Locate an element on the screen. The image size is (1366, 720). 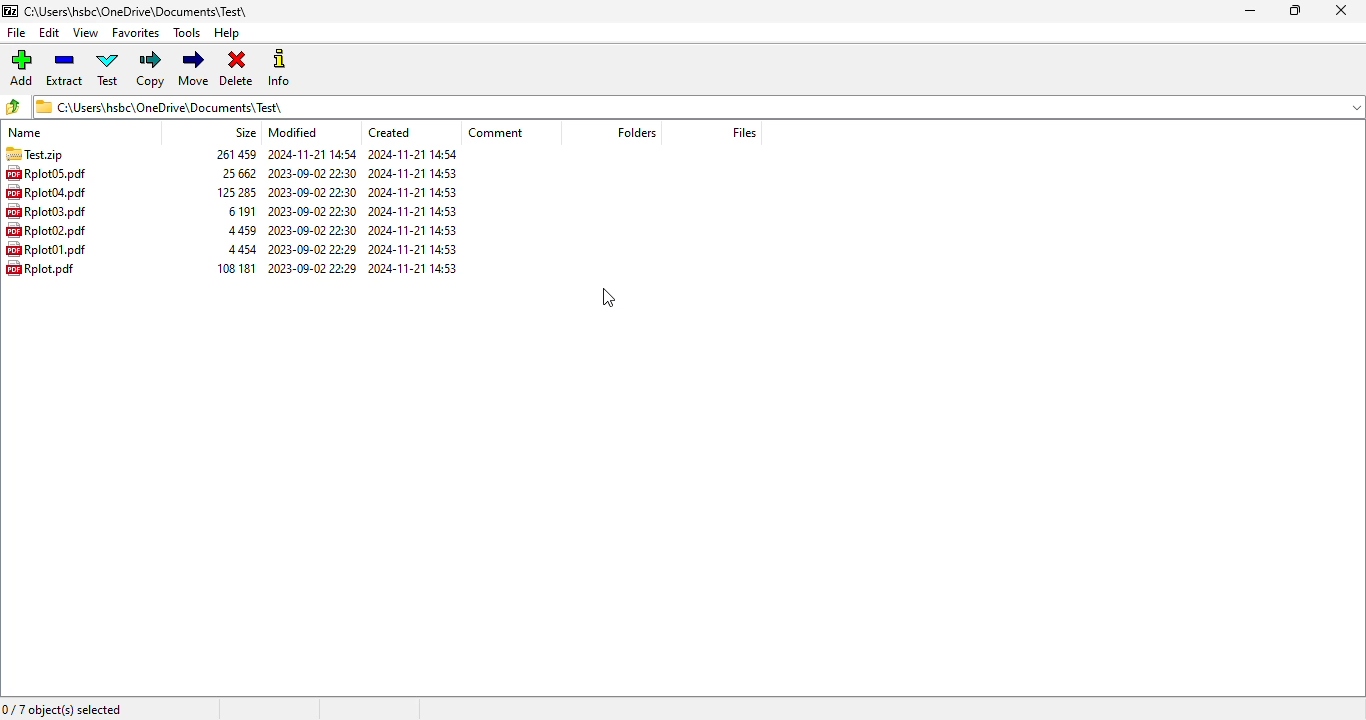
edit is located at coordinates (50, 33).